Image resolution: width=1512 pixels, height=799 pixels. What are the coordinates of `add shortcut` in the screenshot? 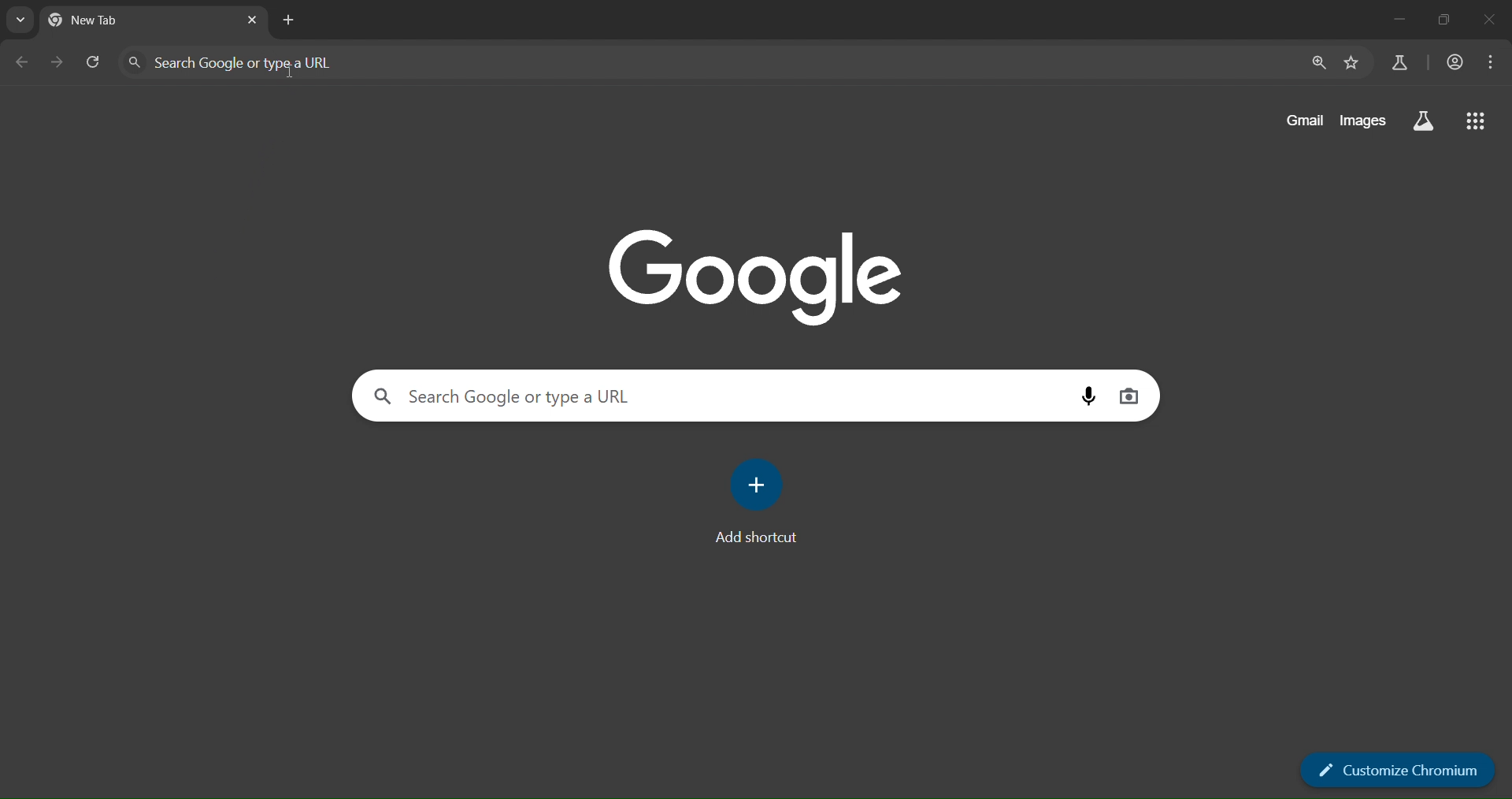 It's located at (765, 504).